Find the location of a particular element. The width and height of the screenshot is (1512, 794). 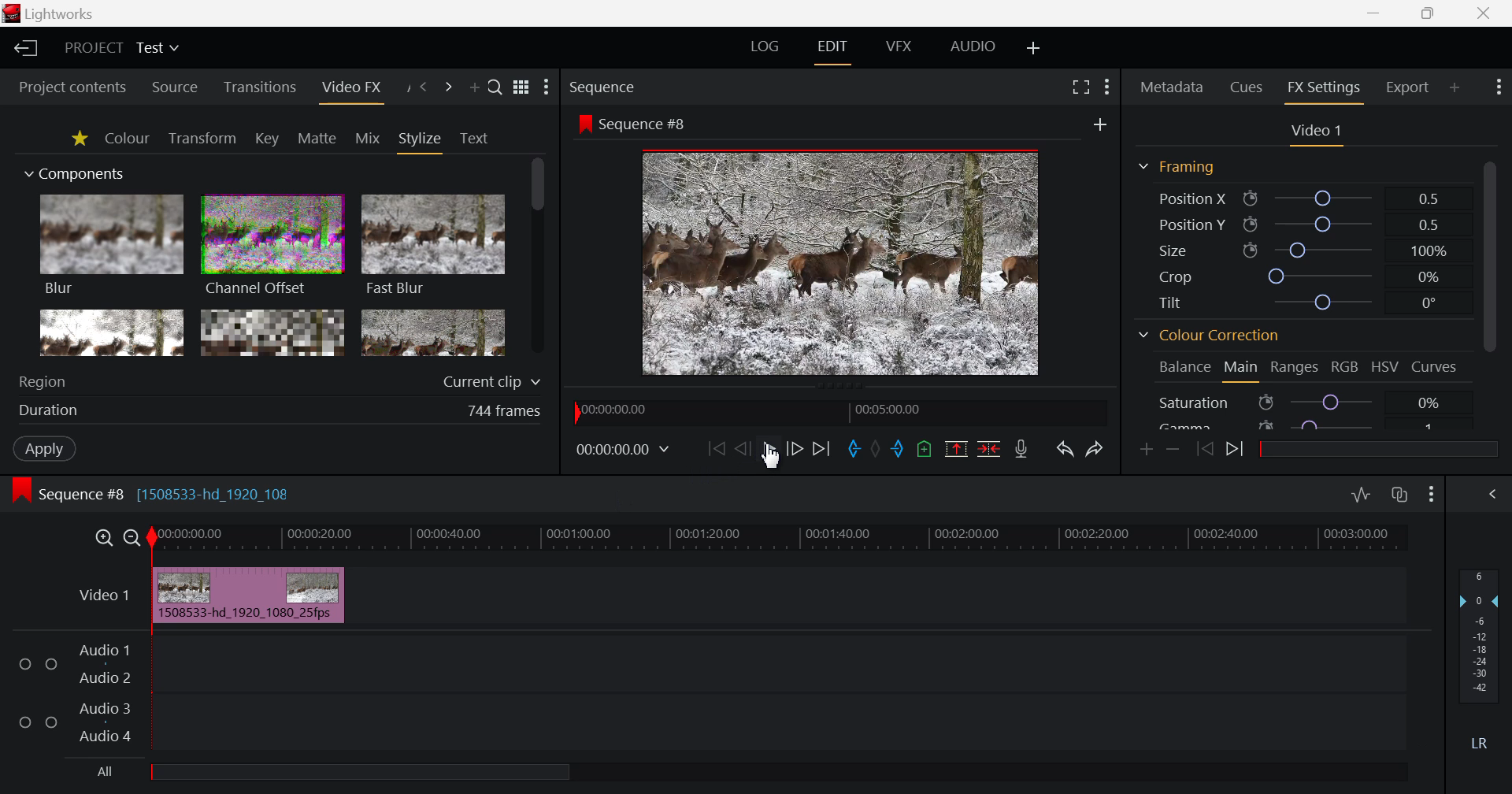

Project Timeline Navigator is located at coordinates (837, 410).